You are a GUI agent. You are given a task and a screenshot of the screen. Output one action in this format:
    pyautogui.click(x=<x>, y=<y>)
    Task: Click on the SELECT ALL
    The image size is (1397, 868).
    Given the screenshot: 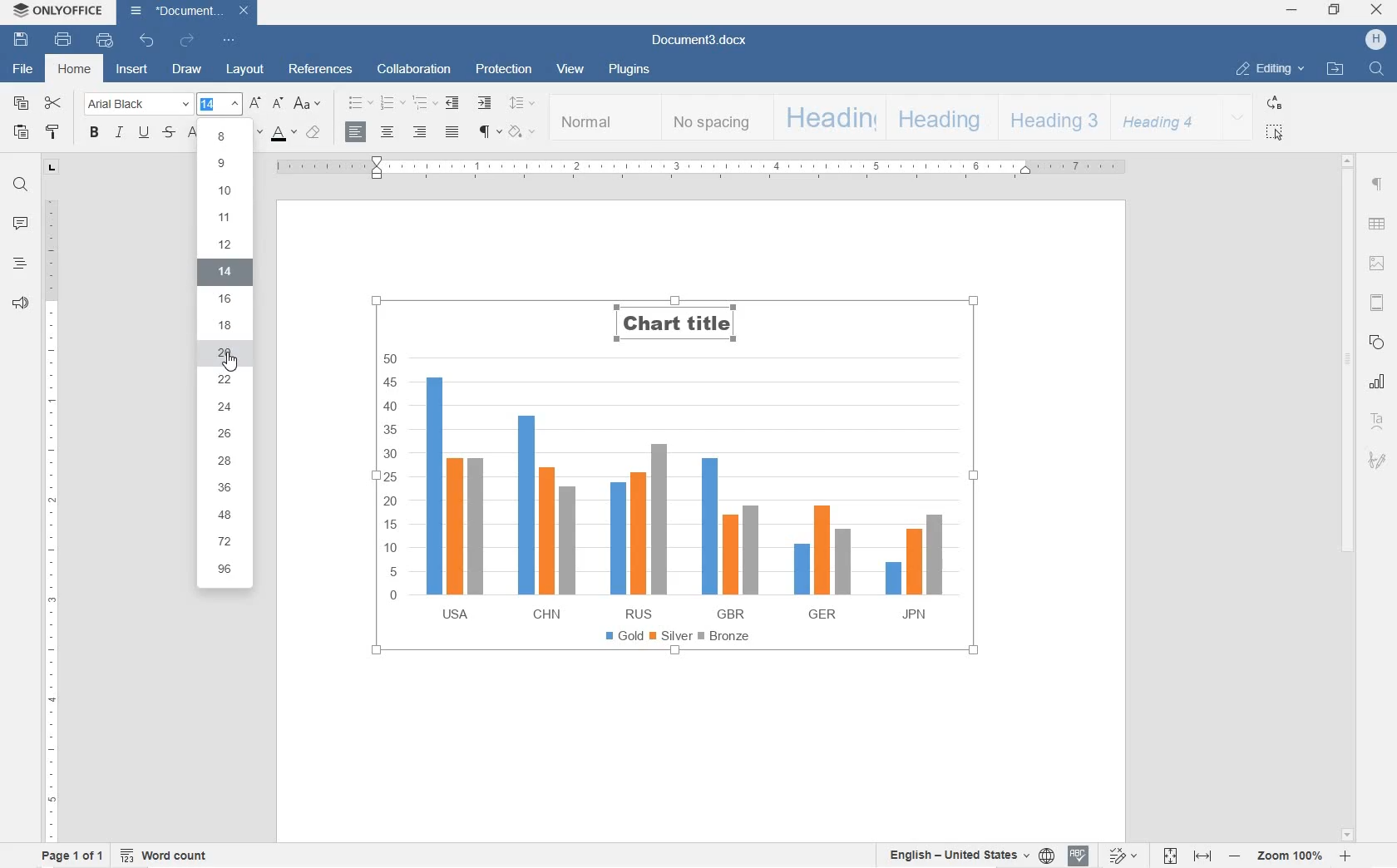 What is the action you would take?
    pyautogui.click(x=1274, y=133)
    